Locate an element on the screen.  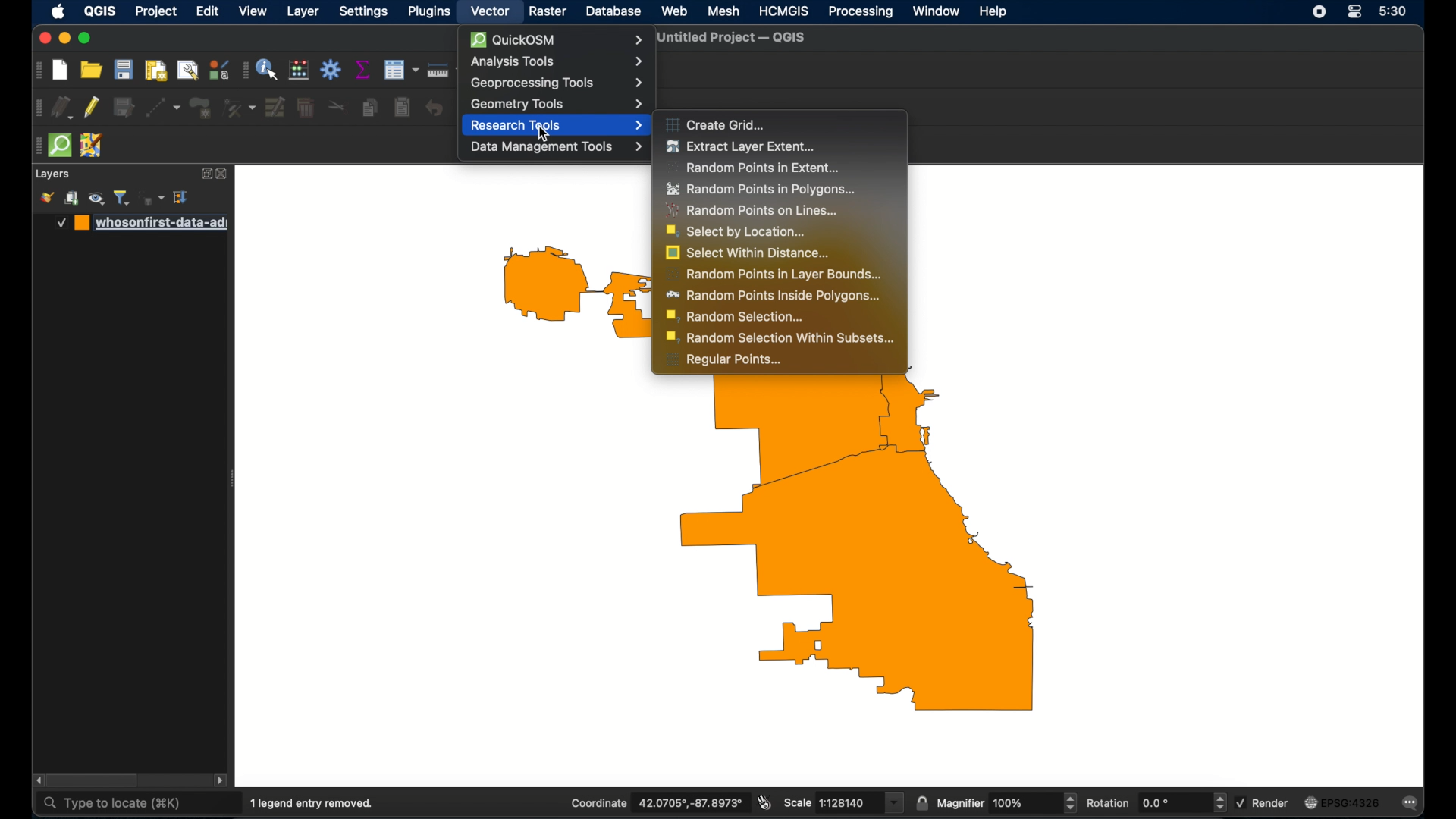
drag handle is located at coordinates (36, 146).